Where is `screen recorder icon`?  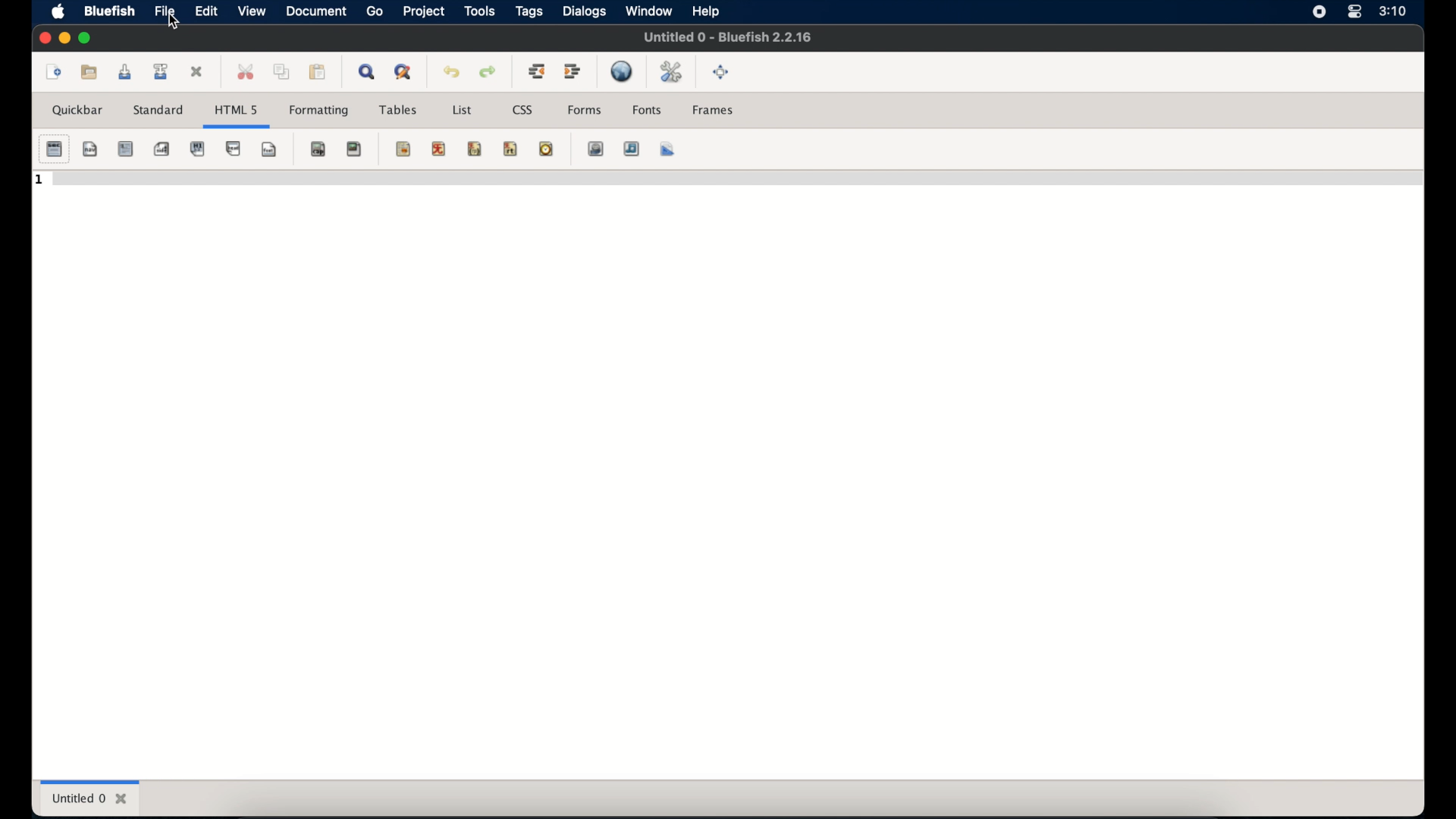 screen recorder icon is located at coordinates (1319, 13).